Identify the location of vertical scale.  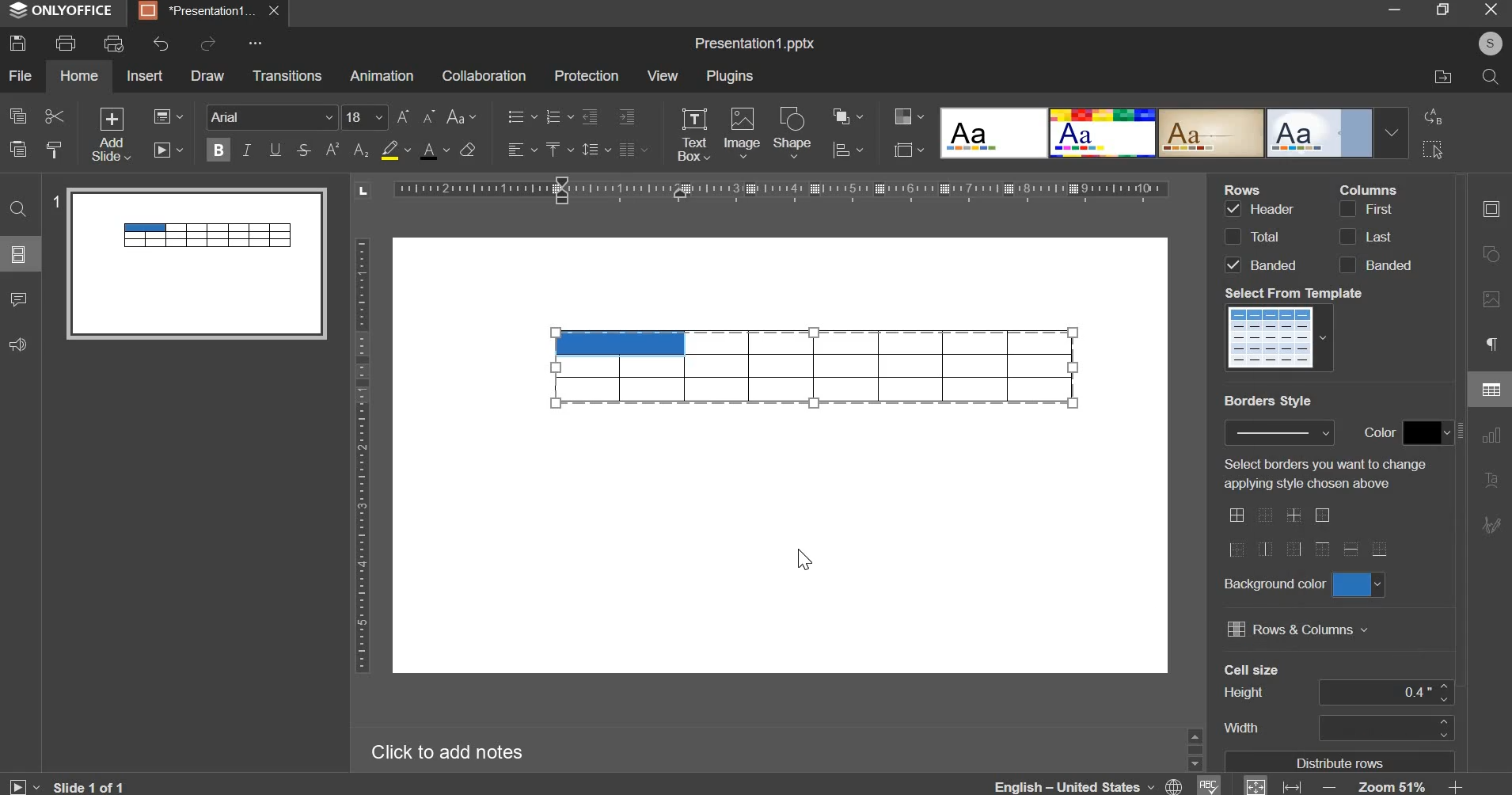
(361, 455).